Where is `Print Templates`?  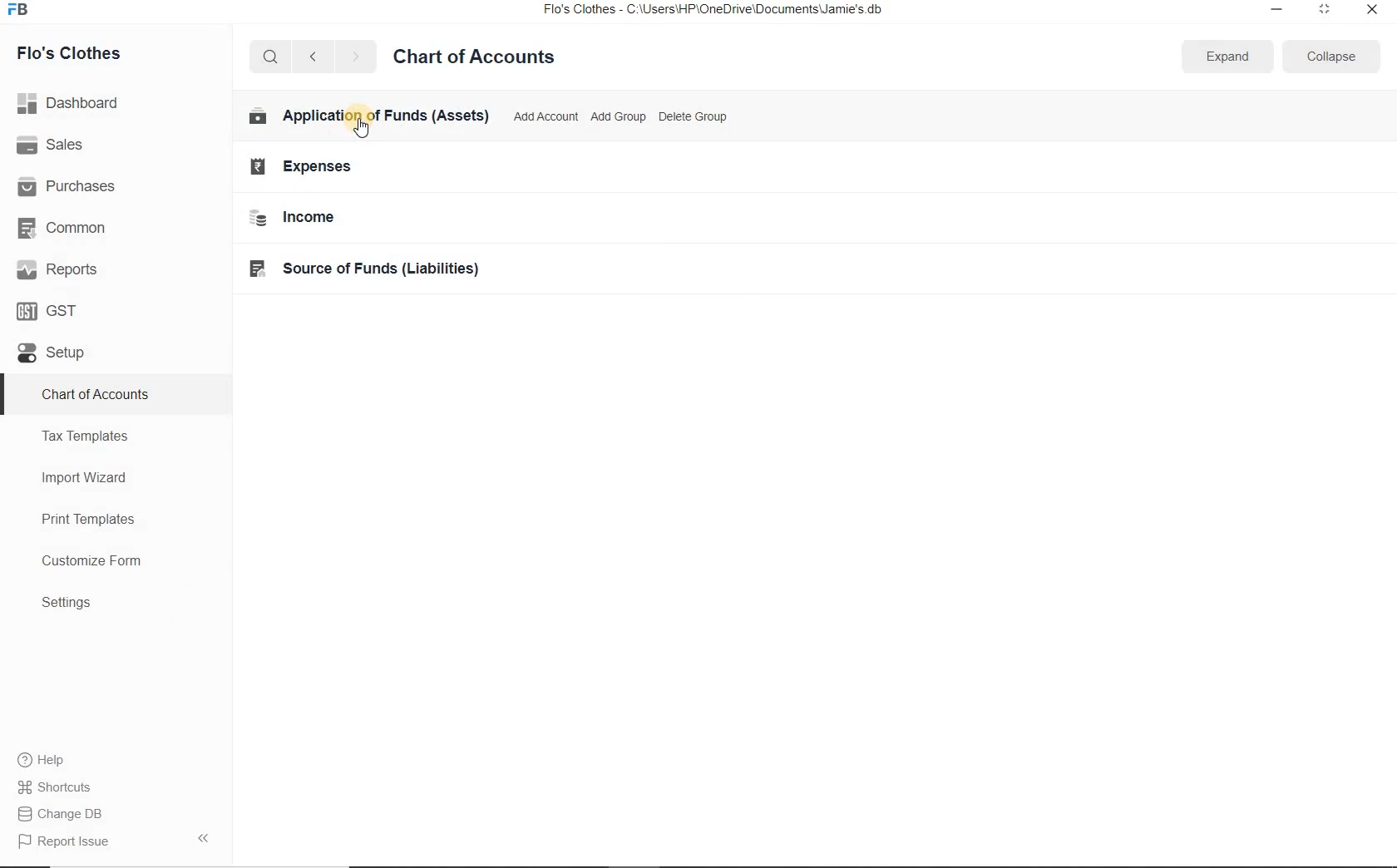 Print Templates is located at coordinates (104, 519).